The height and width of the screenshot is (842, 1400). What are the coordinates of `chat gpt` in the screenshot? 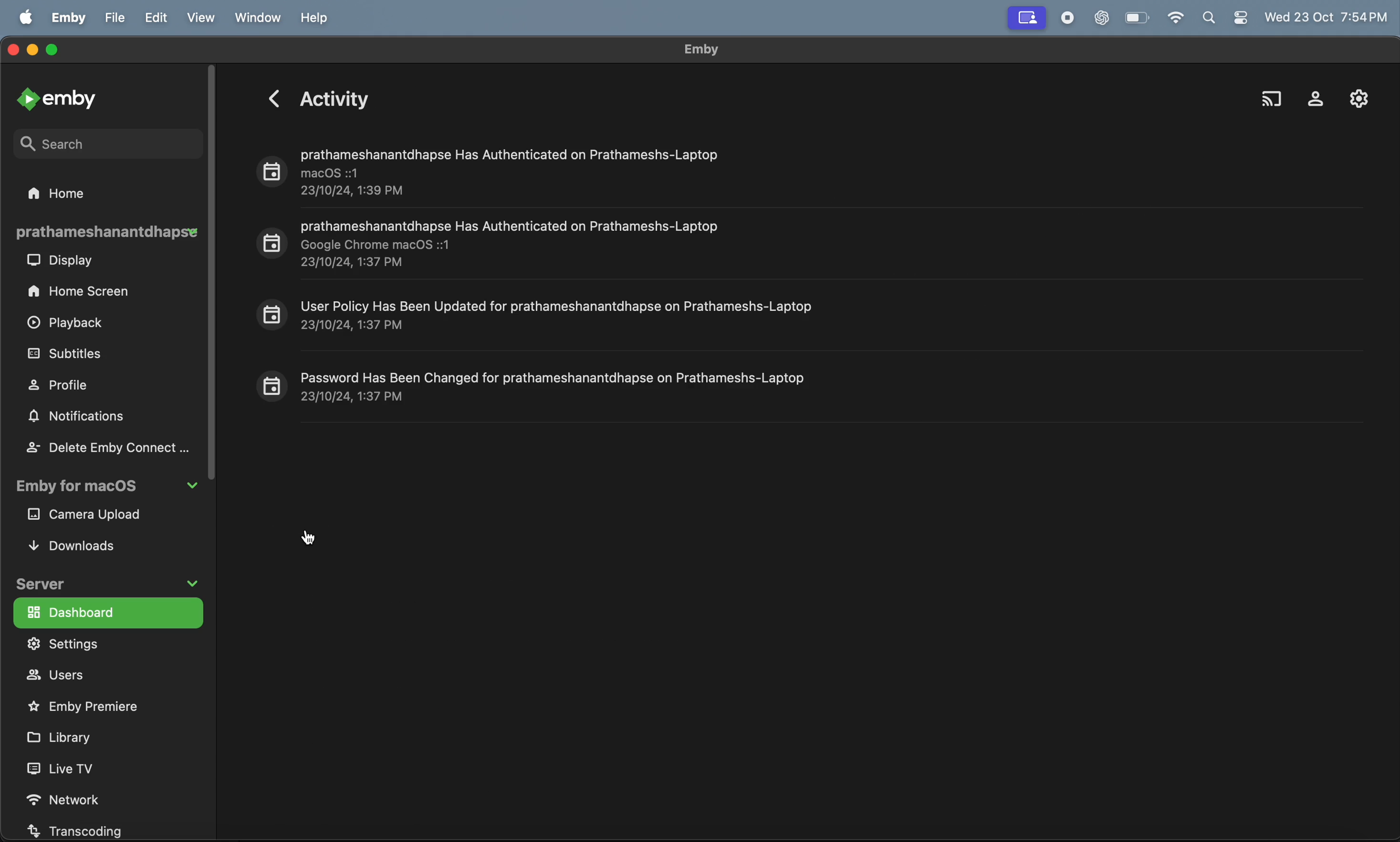 It's located at (1099, 19).